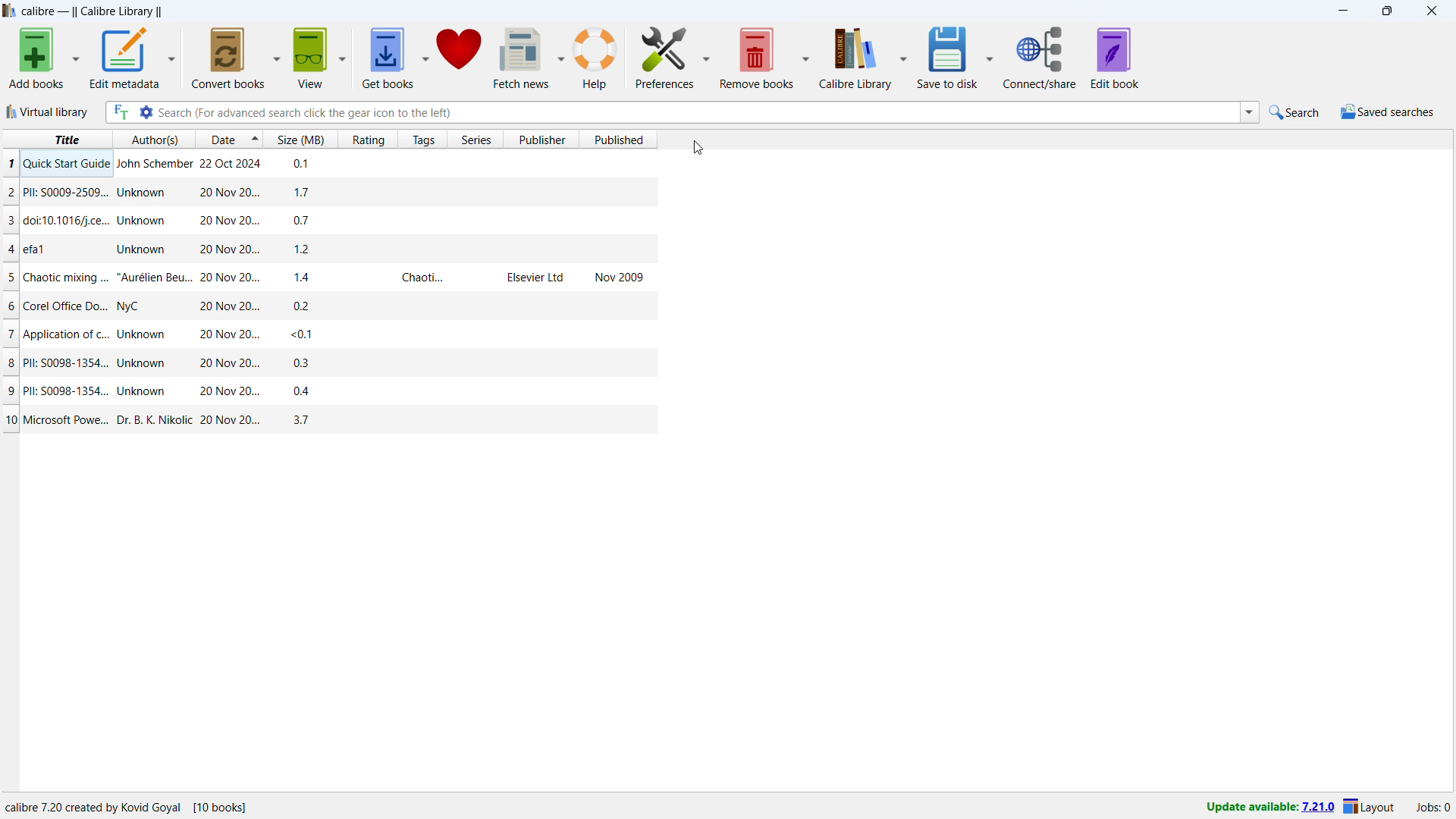  Describe the element at coordinates (346, 137) in the screenshot. I see `Title Author(s) Date + Size (MB) Rating Tags Series Publisher Published` at that location.